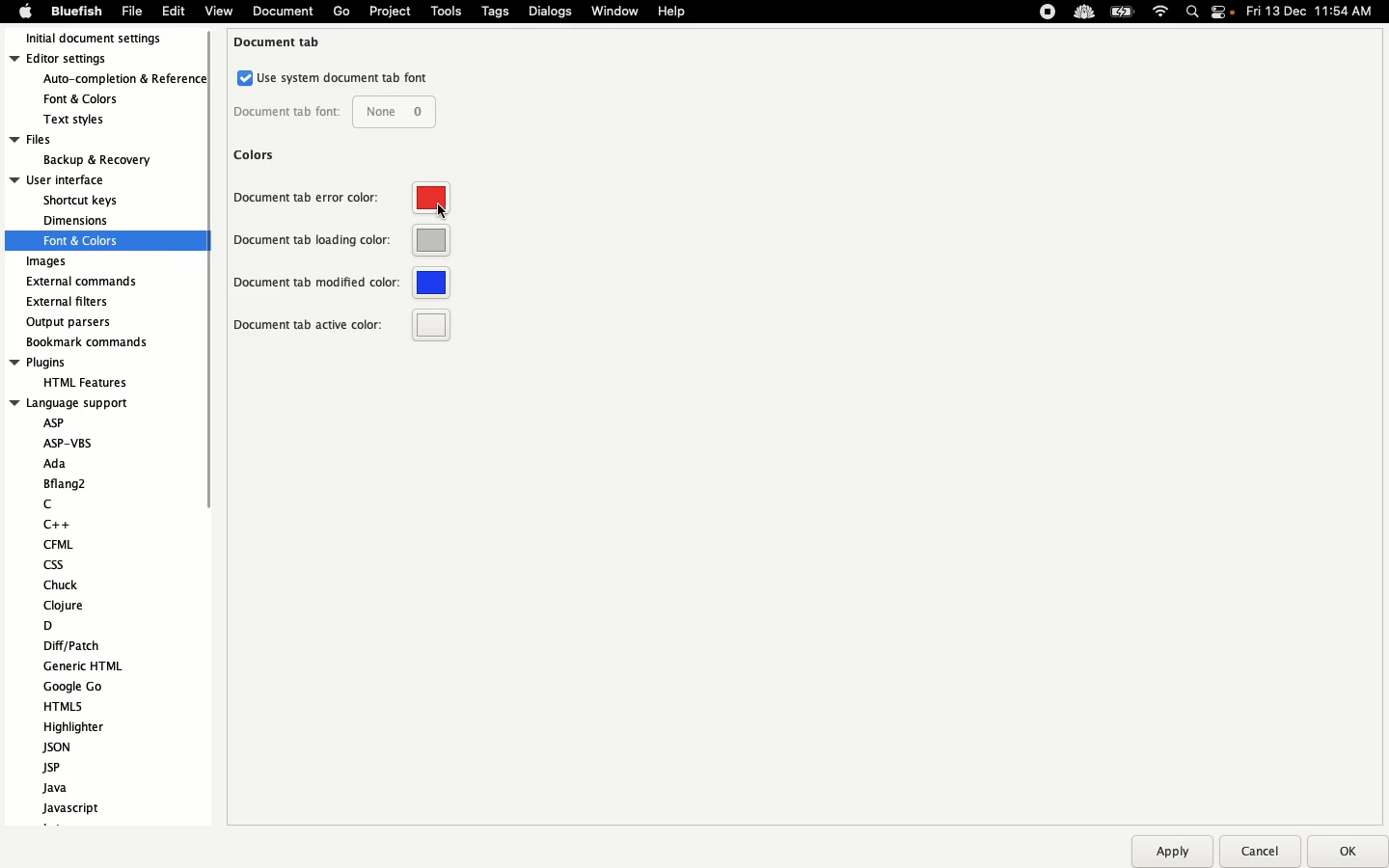 The height and width of the screenshot is (868, 1389). I want to click on shortcut keys, so click(82, 202).